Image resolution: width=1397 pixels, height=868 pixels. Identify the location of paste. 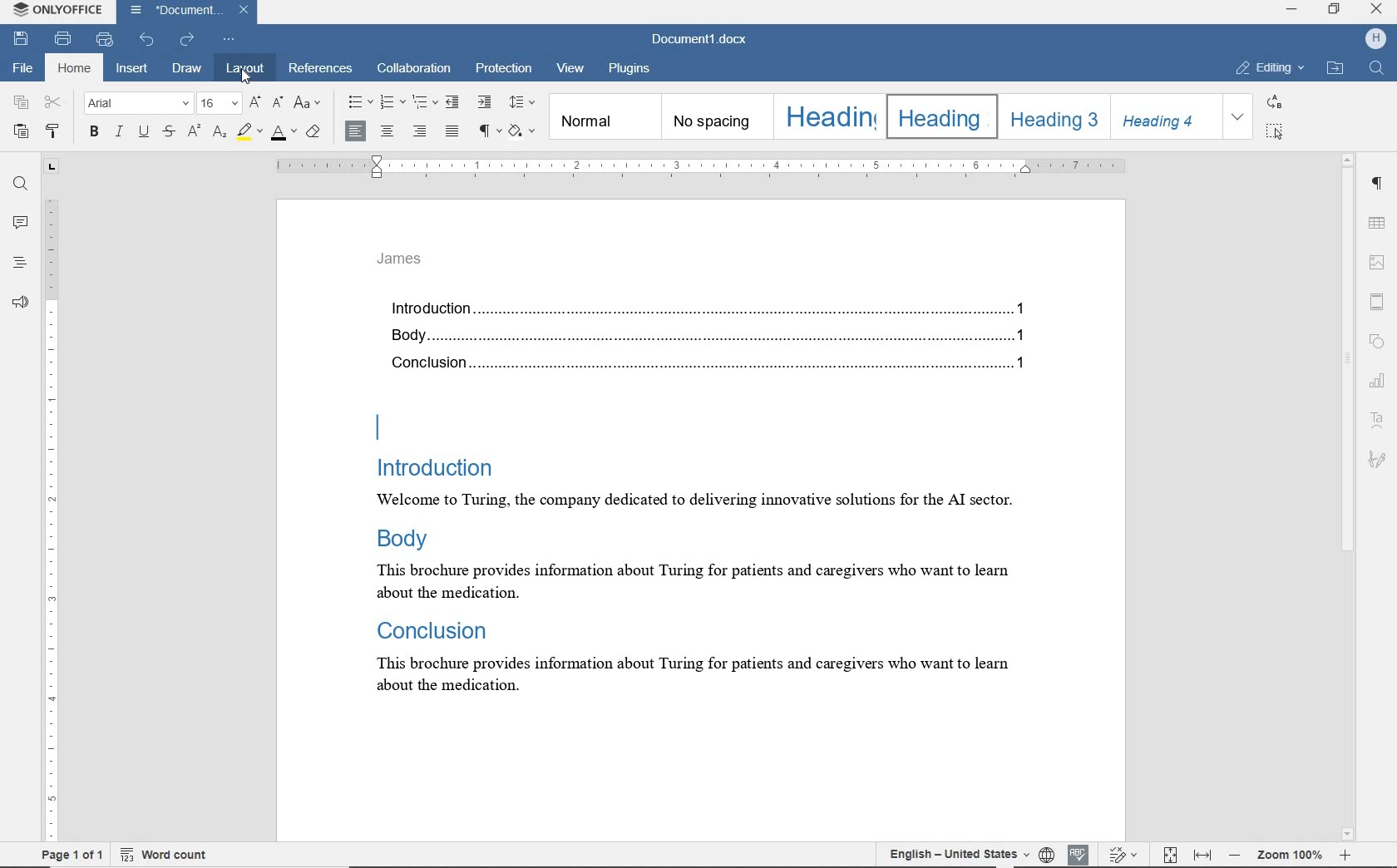
(21, 131).